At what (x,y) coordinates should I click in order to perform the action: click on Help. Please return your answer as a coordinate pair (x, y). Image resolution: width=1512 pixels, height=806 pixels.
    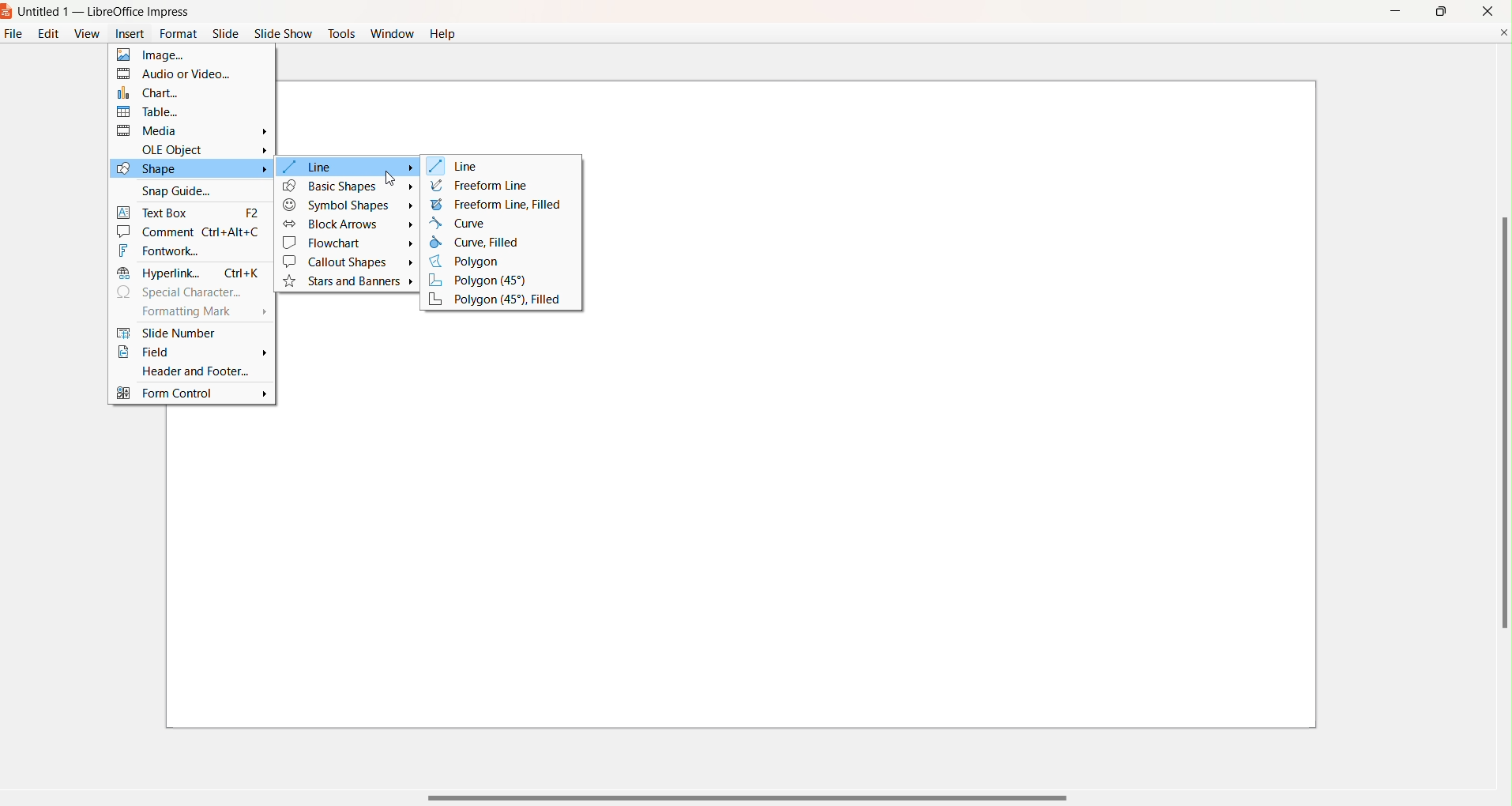
    Looking at the image, I should click on (444, 34).